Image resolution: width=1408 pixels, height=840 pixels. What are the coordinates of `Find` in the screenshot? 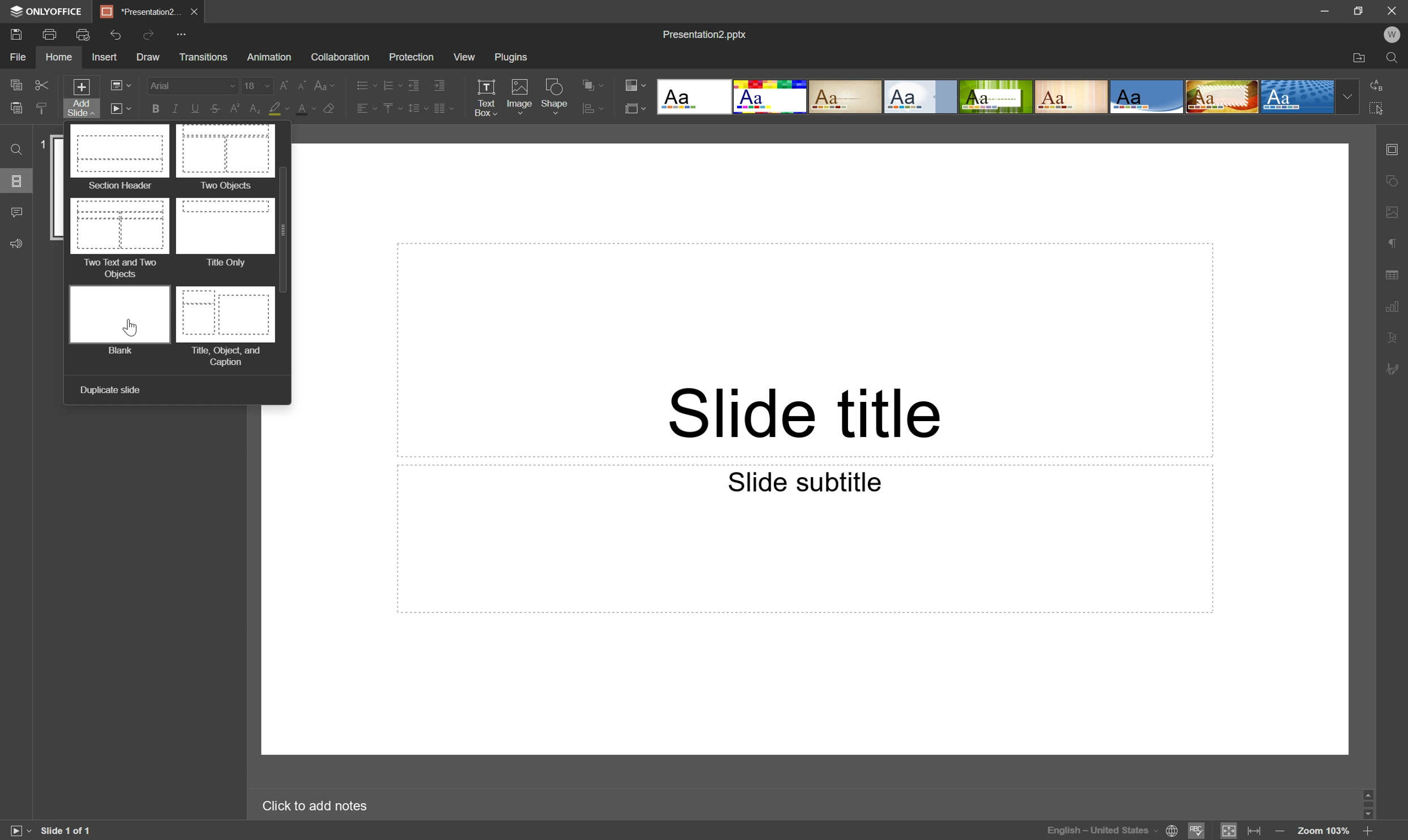 It's located at (15, 150).